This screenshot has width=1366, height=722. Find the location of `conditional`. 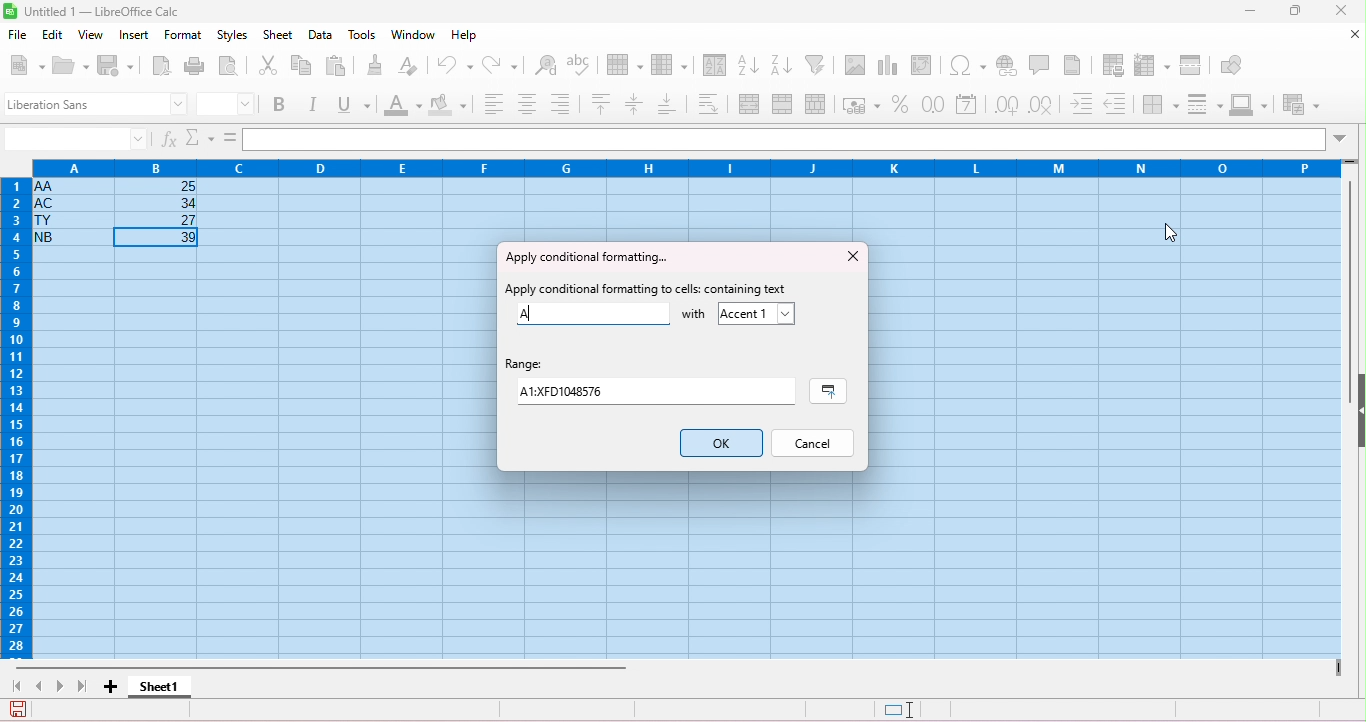

conditional is located at coordinates (1299, 106).